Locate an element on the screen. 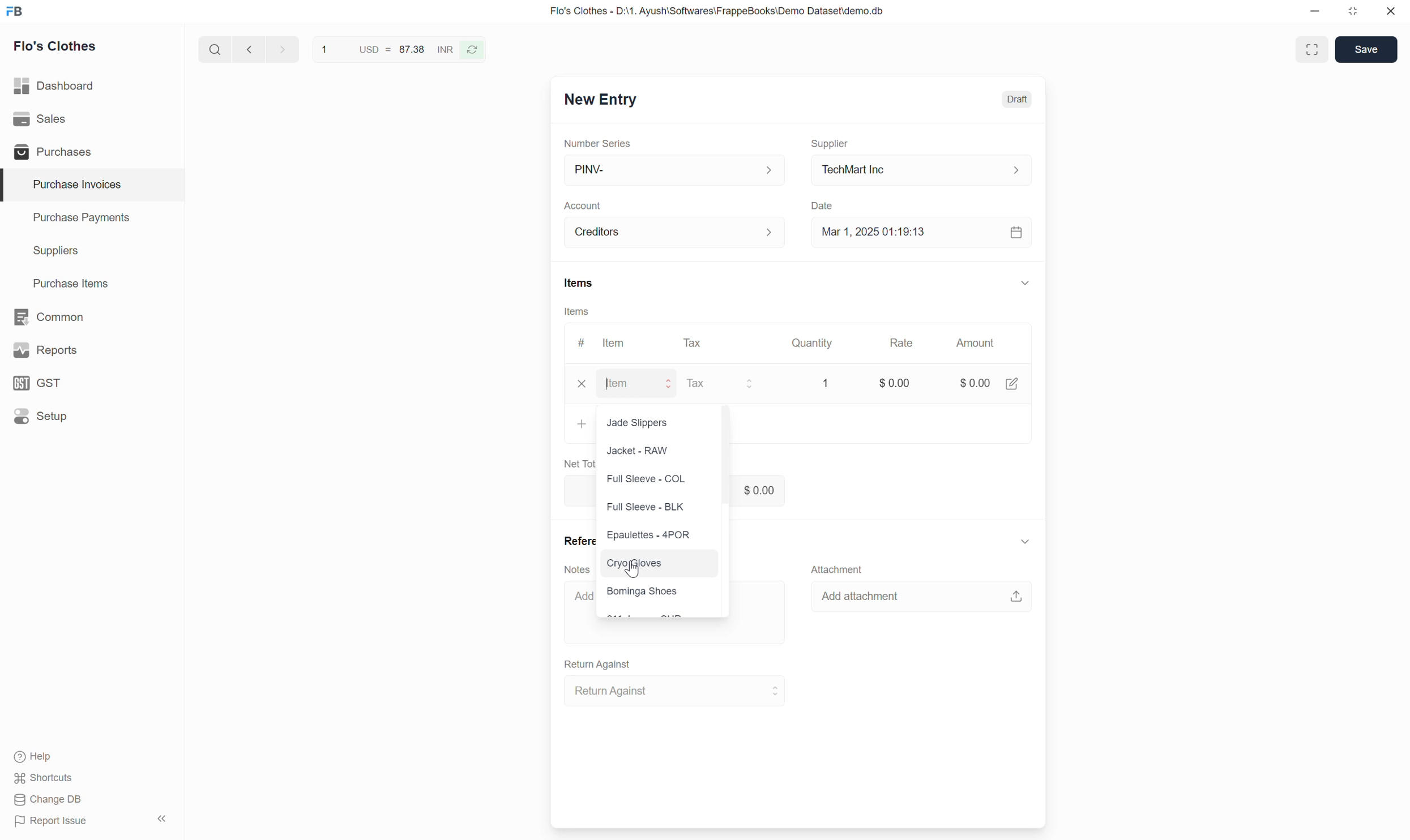 The image size is (1410, 840). edit is located at coordinates (1012, 384).